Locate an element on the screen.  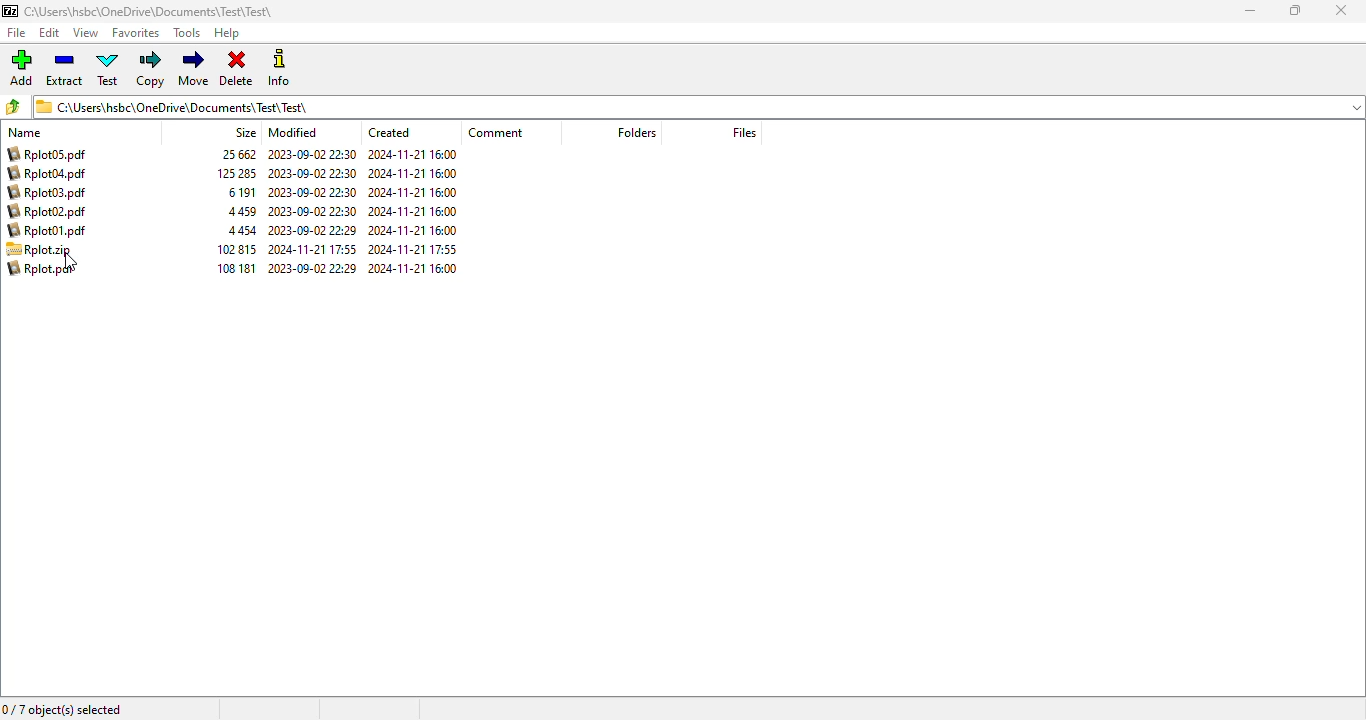
2024-11-21 16:00 is located at coordinates (414, 269).